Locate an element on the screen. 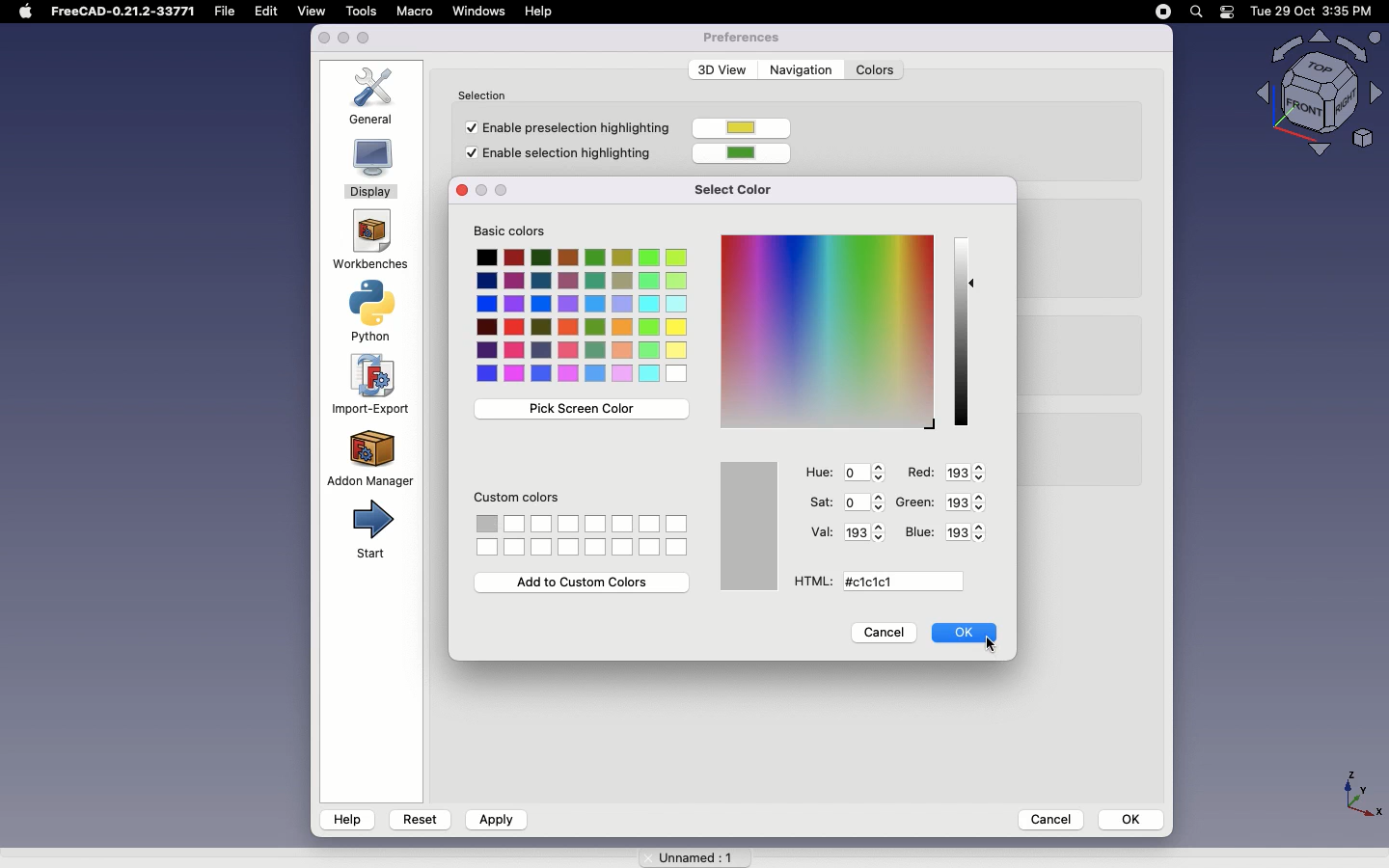 This screenshot has height=868, width=1389. Reset is located at coordinates (421, 817).